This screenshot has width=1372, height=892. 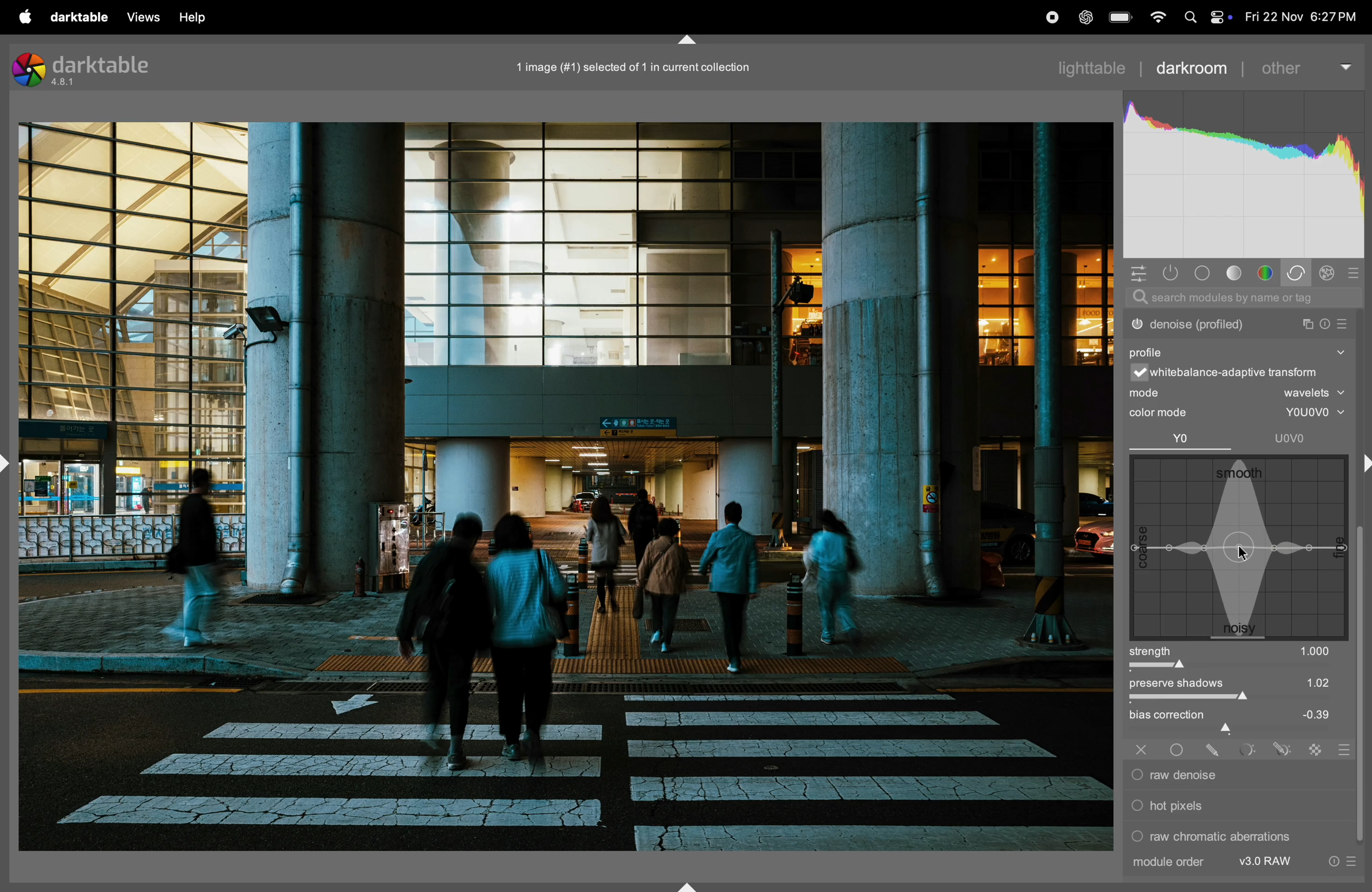 I want to click on help, so click(x=198, y=19).